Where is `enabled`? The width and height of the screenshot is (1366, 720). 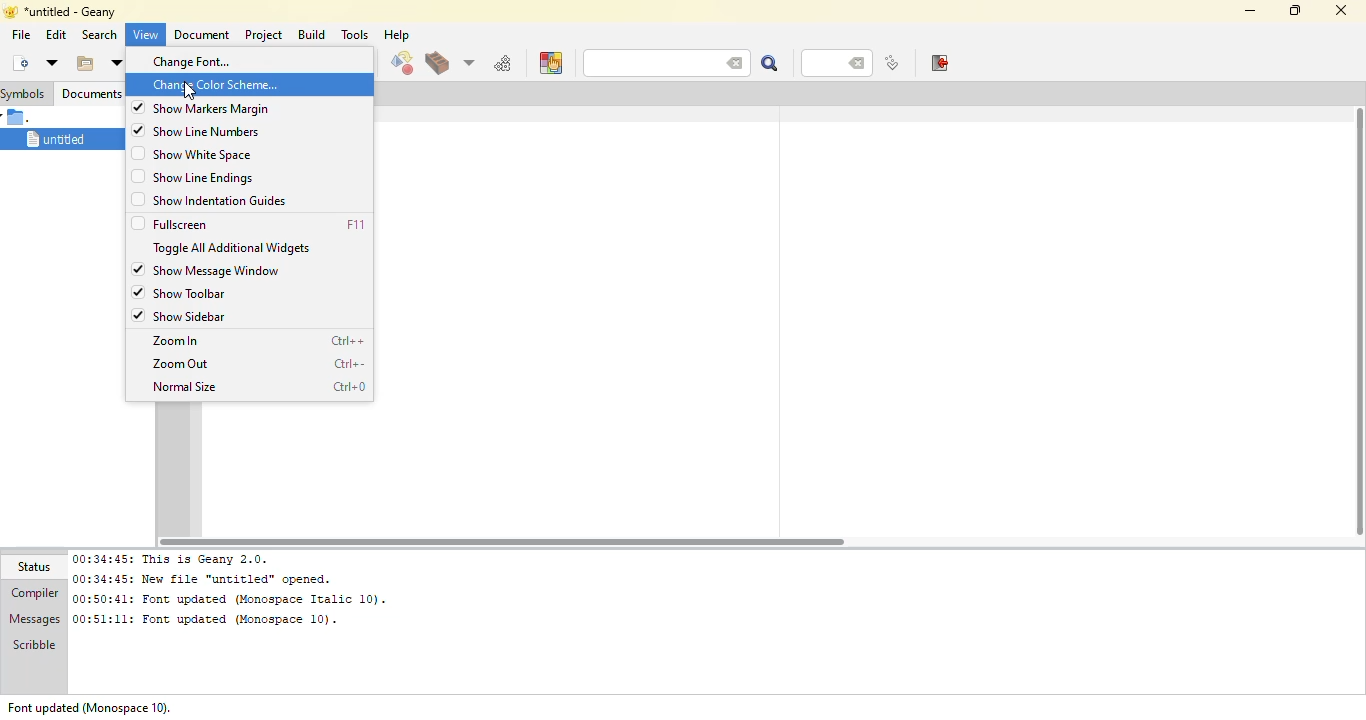
enabled is located at coordinates (137, 269).